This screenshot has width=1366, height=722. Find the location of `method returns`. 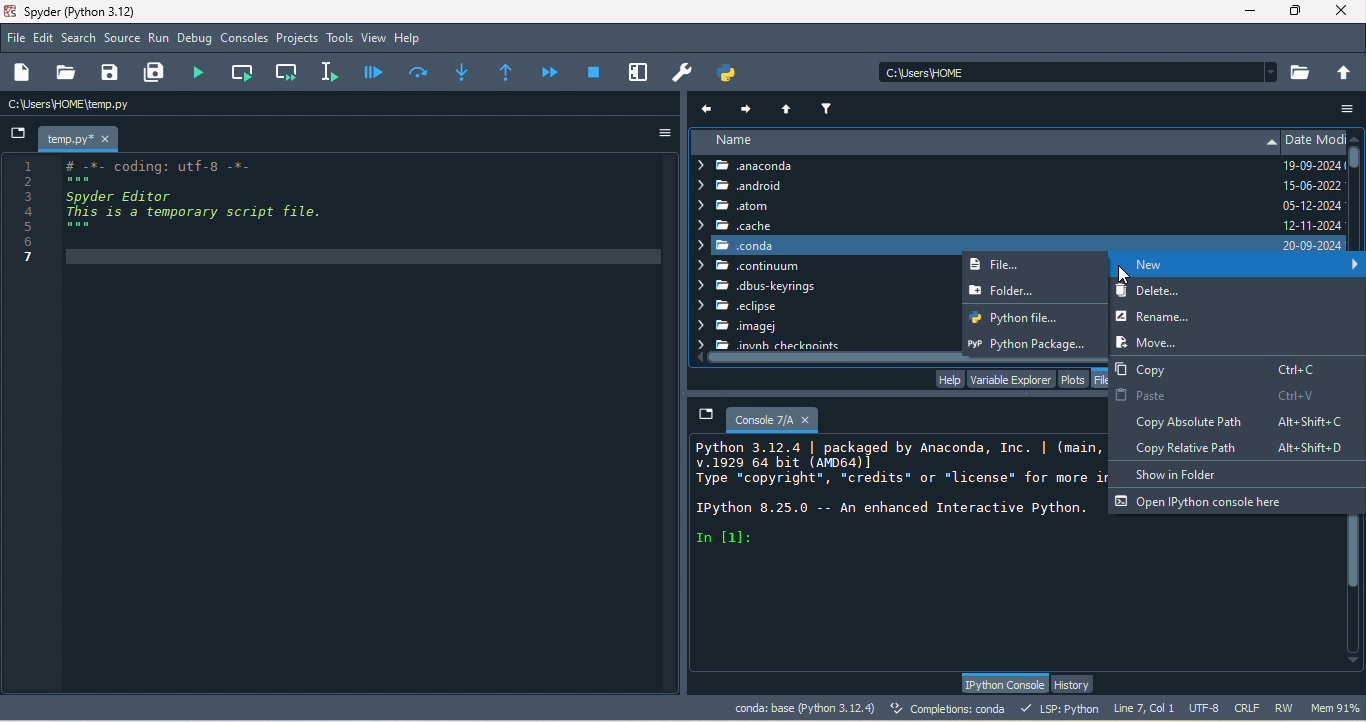

method returns is located at coordinates (508, 73).